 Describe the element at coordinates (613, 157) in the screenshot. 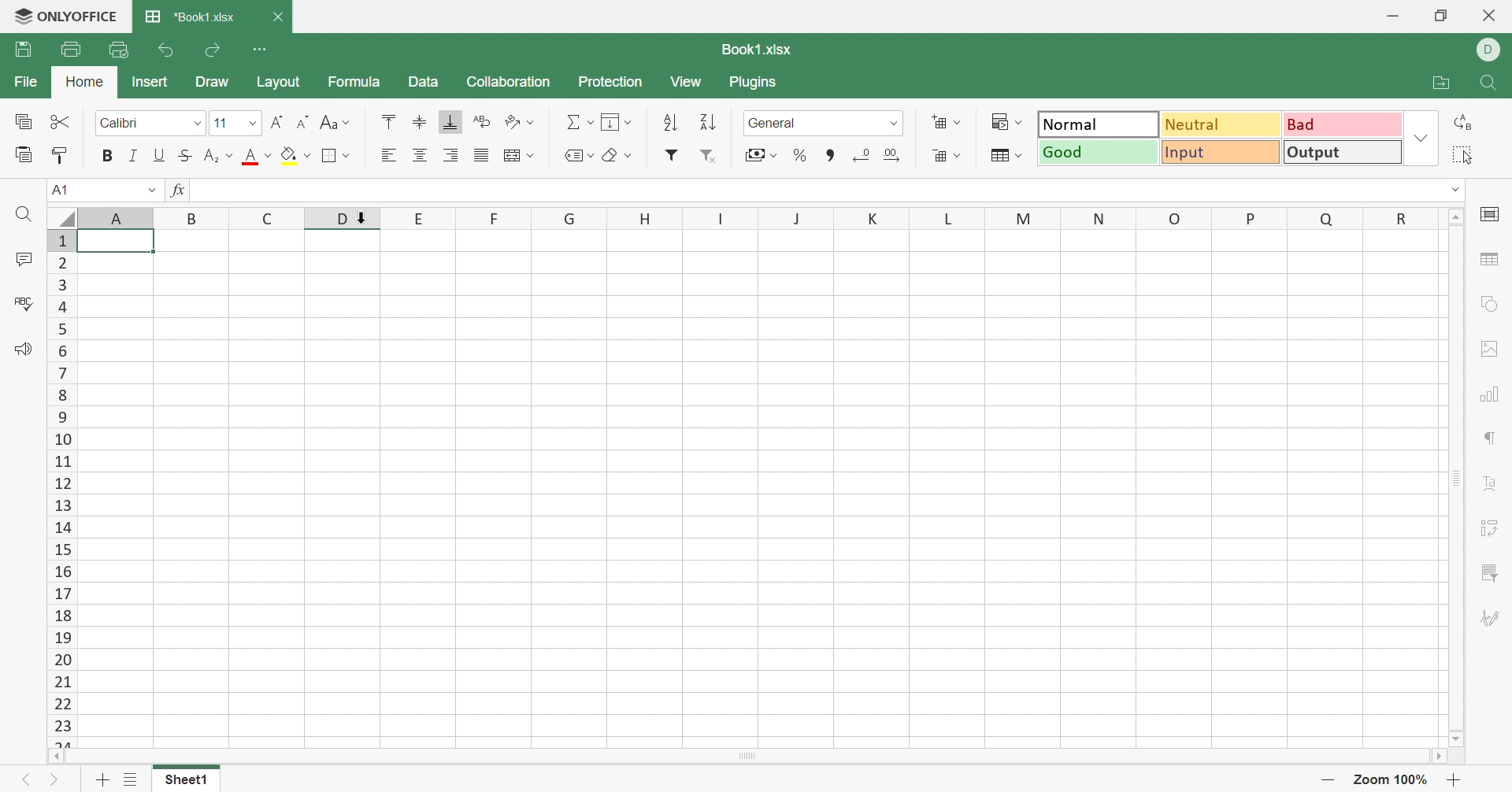

I see `Clear` at that location.